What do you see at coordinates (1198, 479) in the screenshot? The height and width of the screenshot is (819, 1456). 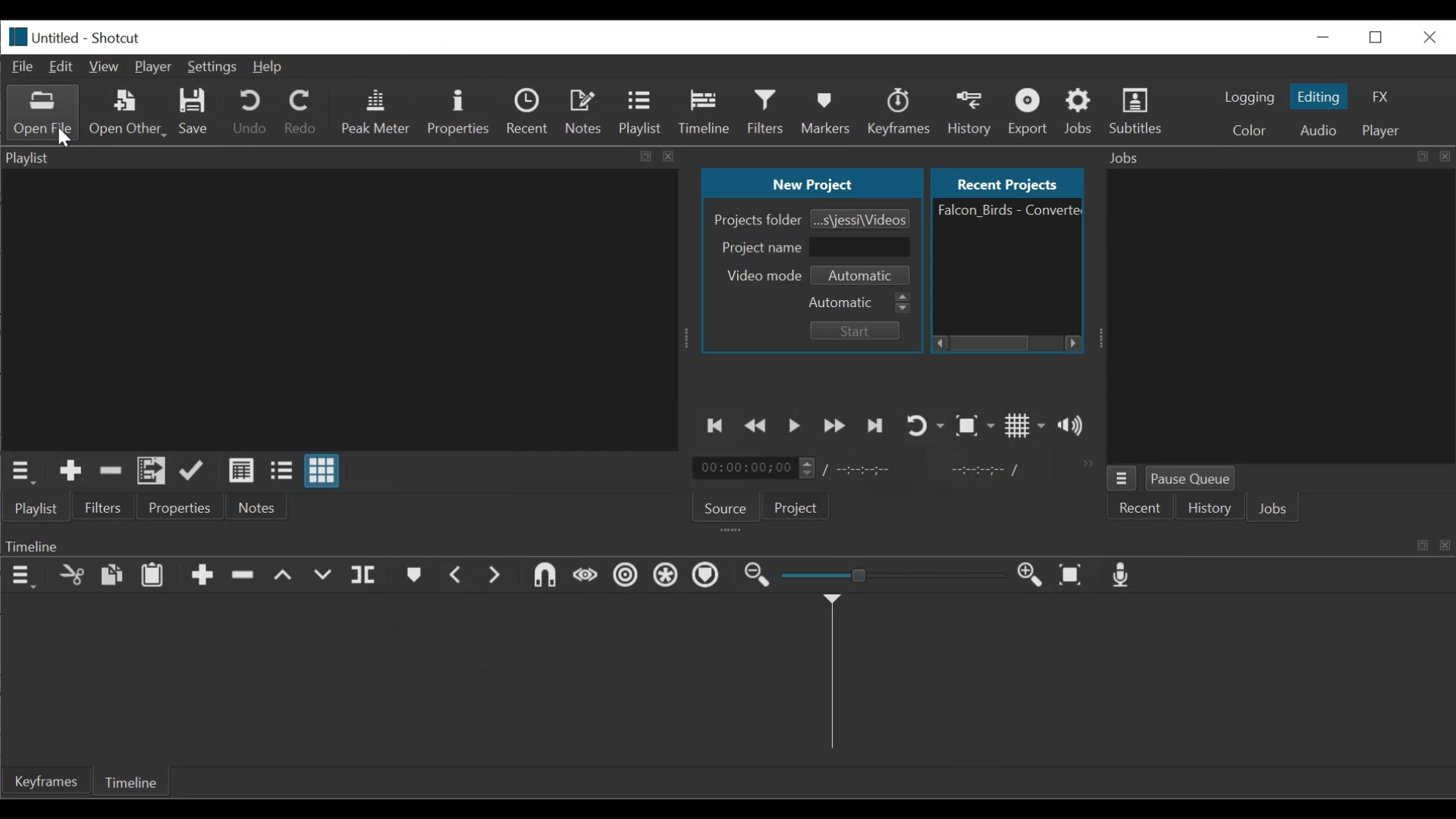 I see `Pause Queue` at bounding box center [1198, 479].